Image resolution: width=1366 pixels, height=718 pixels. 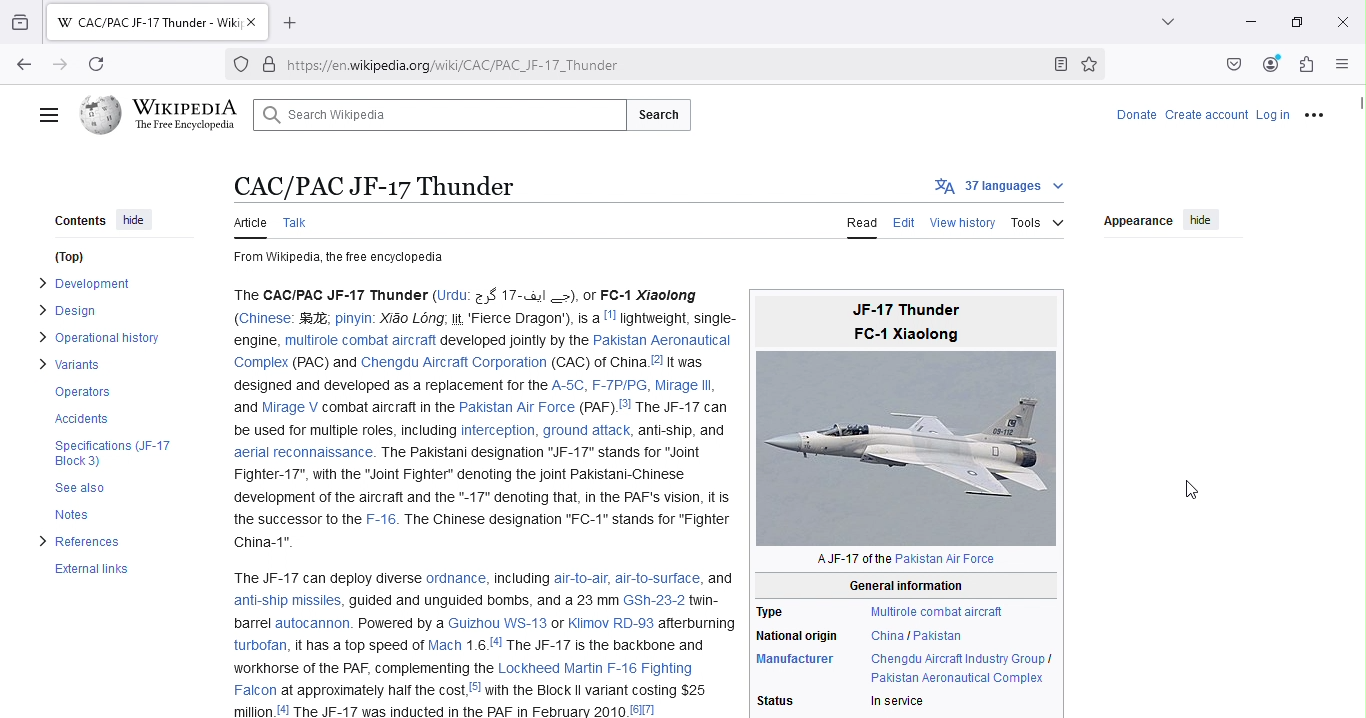 What do you see at coordinates (1306, 67) in the screenshot?
I see `Extensions` at bounding box center [1306, 67].